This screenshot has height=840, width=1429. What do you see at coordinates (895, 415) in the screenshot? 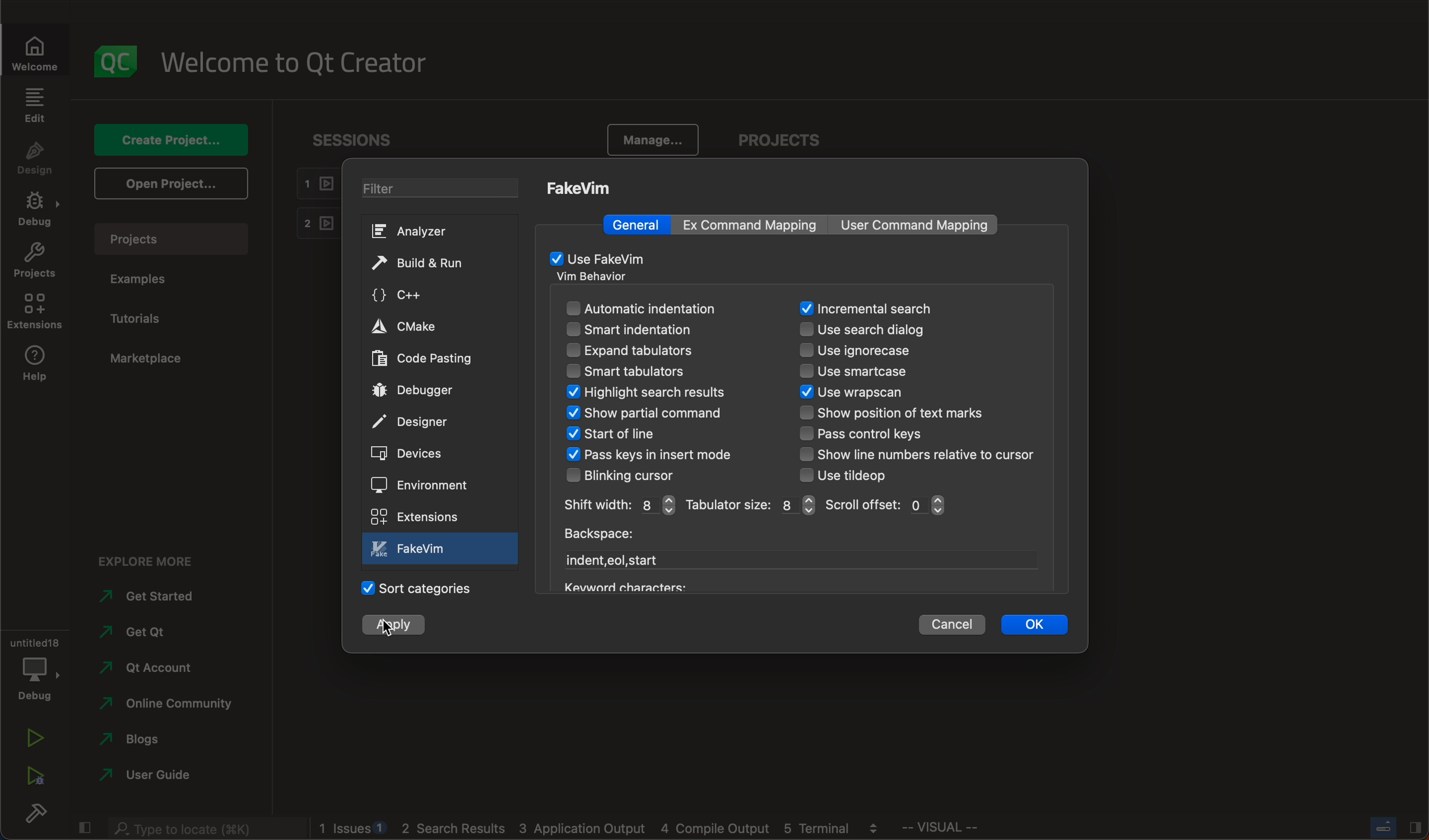
I see `text marks` at bounding box center [895, 415].